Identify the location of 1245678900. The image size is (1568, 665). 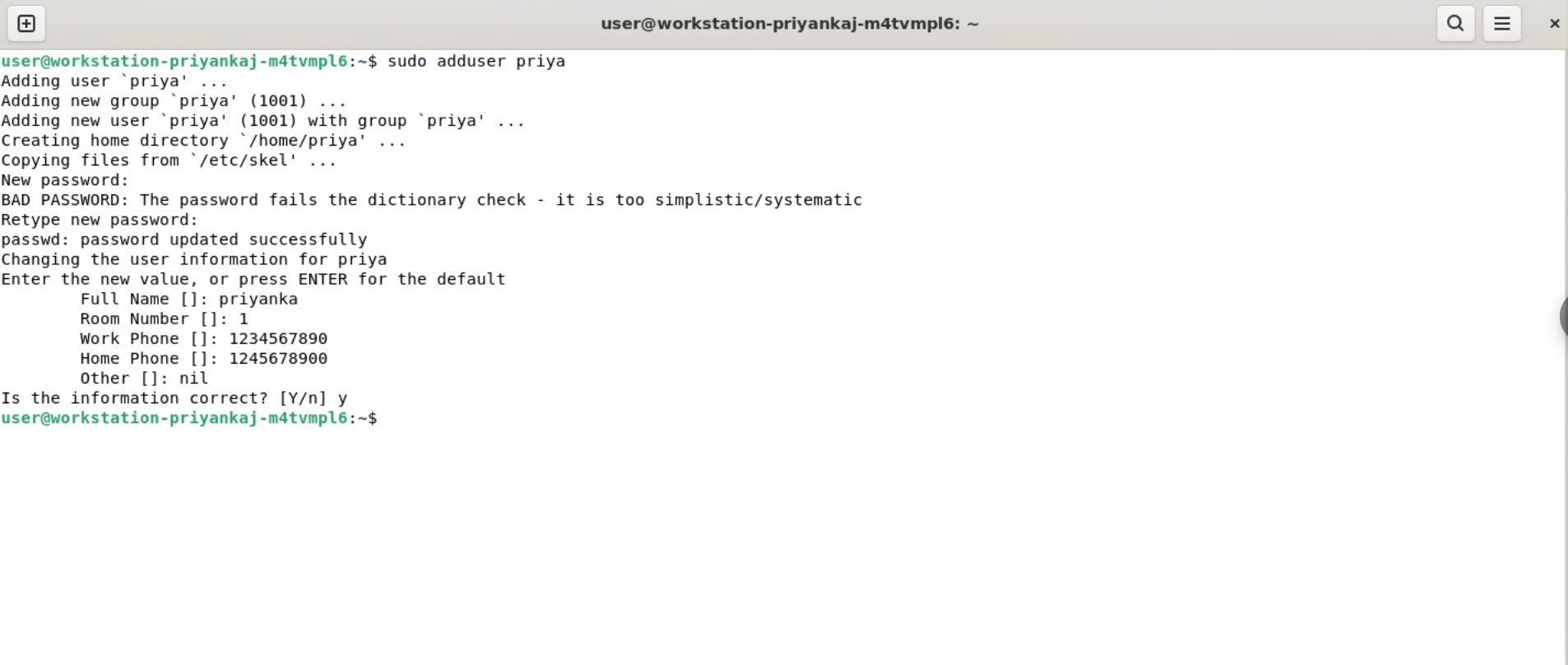
(285, 360).